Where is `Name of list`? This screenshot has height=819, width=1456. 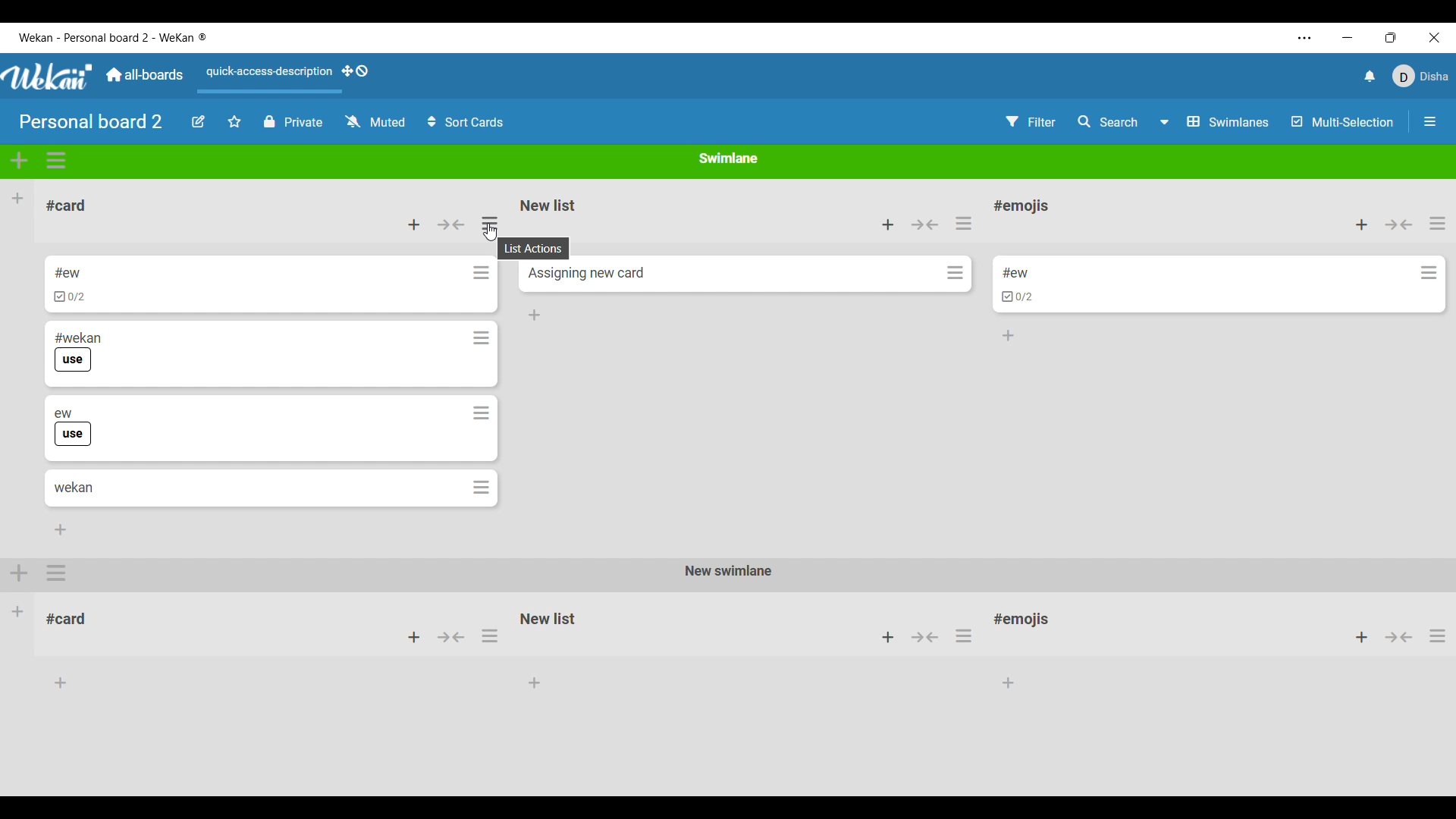 Name of list is located at coordinates (550, 204).